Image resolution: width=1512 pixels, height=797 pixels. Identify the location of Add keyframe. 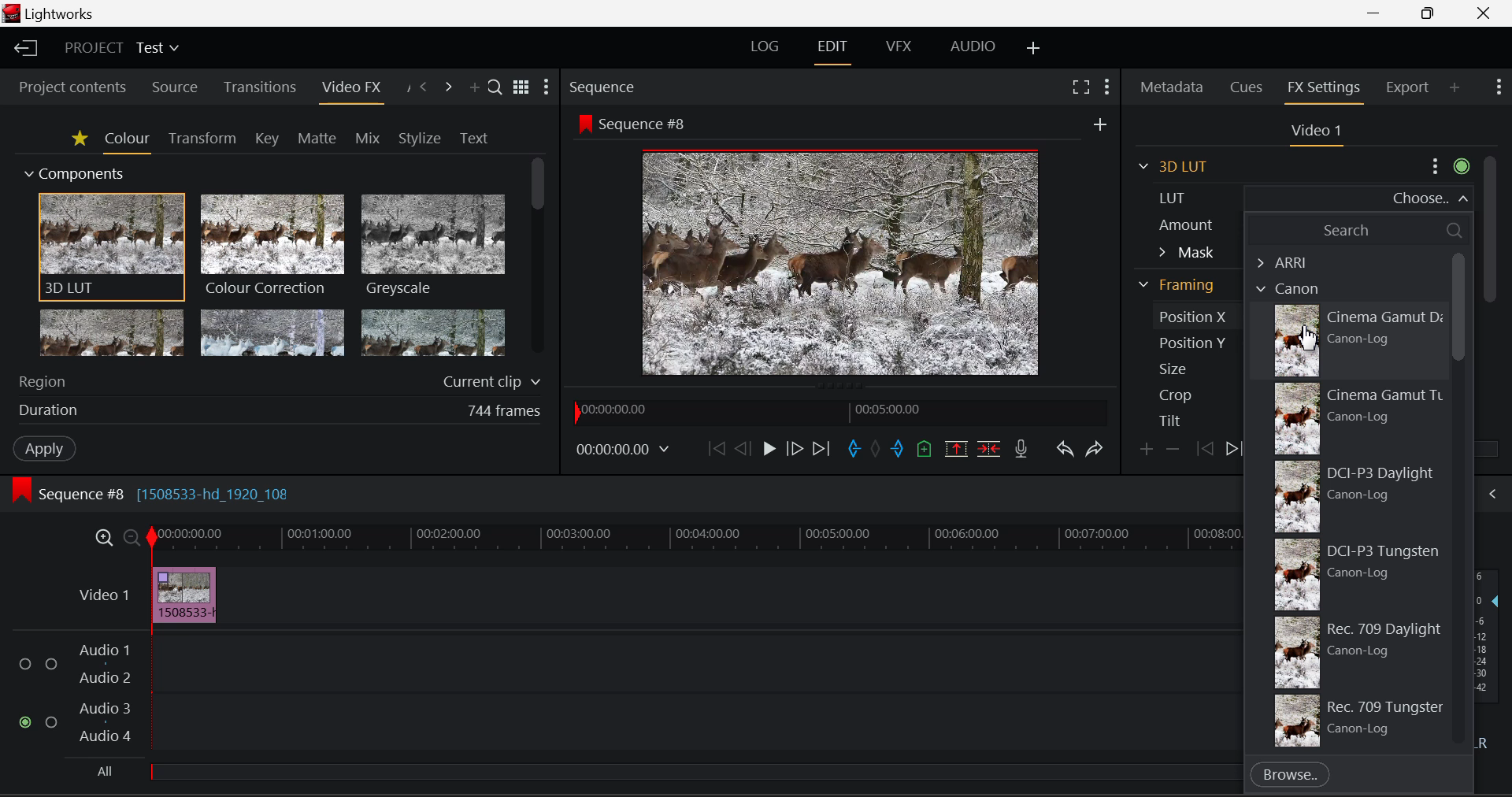
(1145, 451).